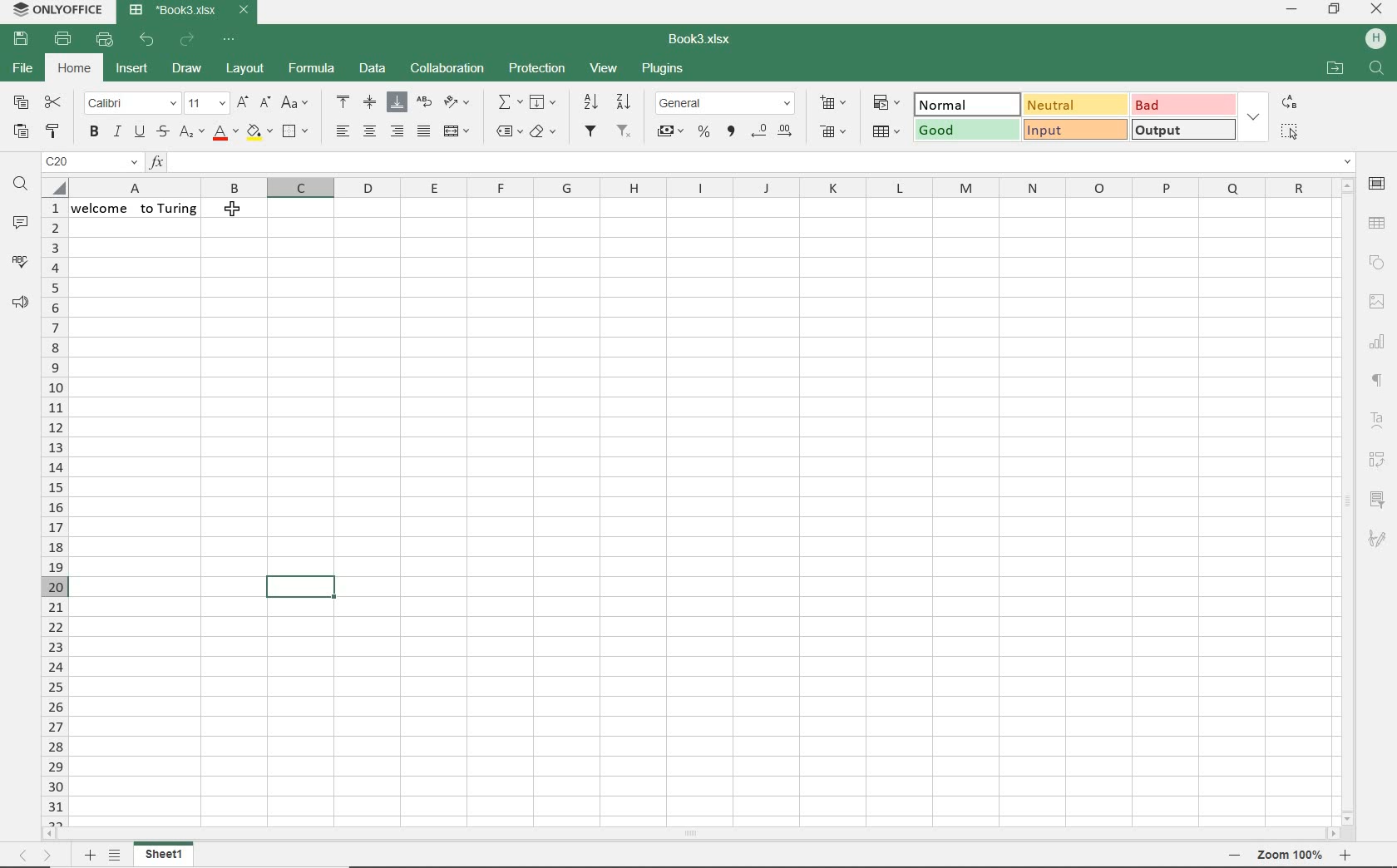 Image resolution: width=1397 pixels, height=868 pixels. I want to click on data, so click(370, 70).